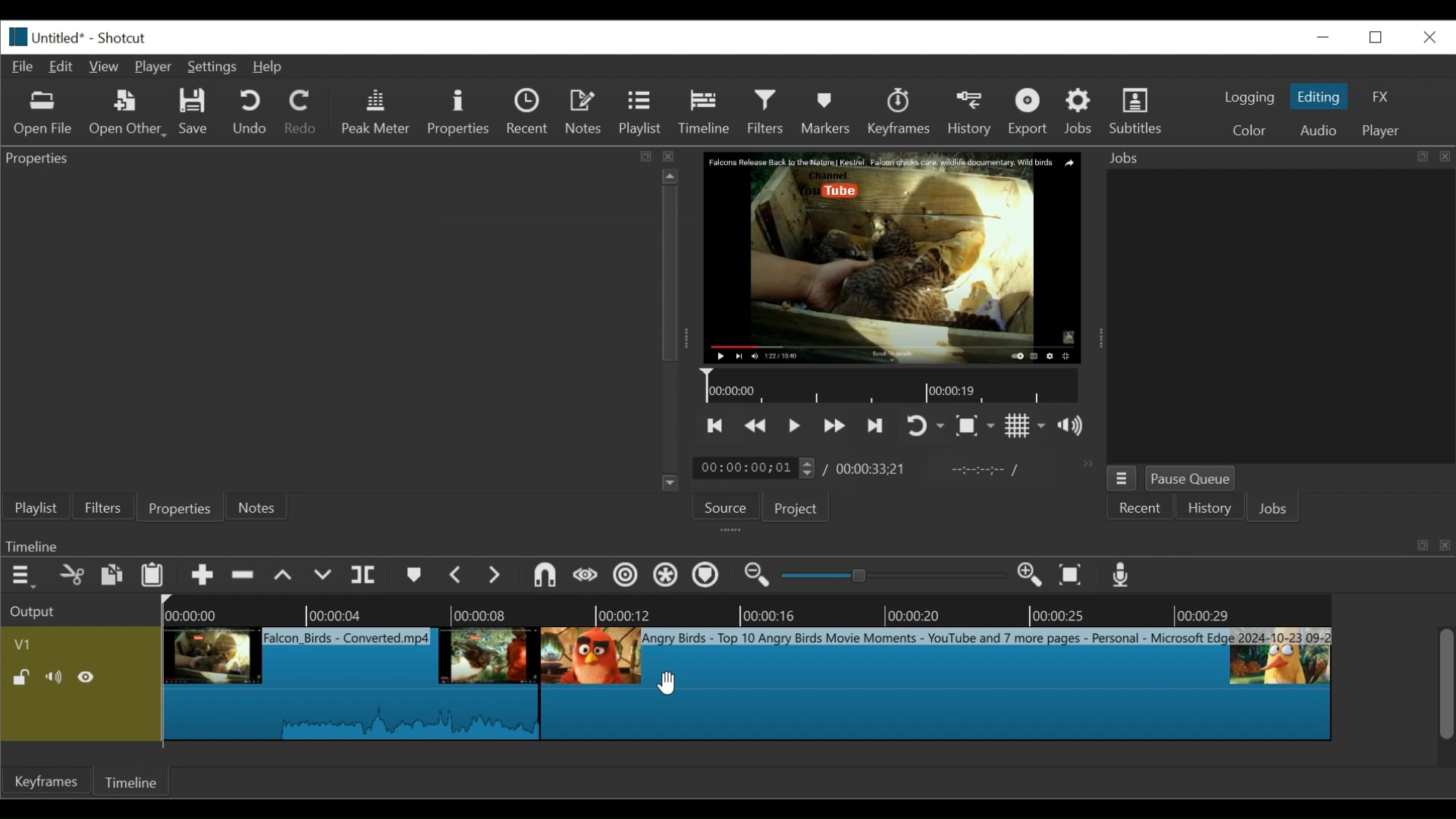 The image size is (1456, 819). I want to click on Toggle display grid on player, so click(1025, 426).